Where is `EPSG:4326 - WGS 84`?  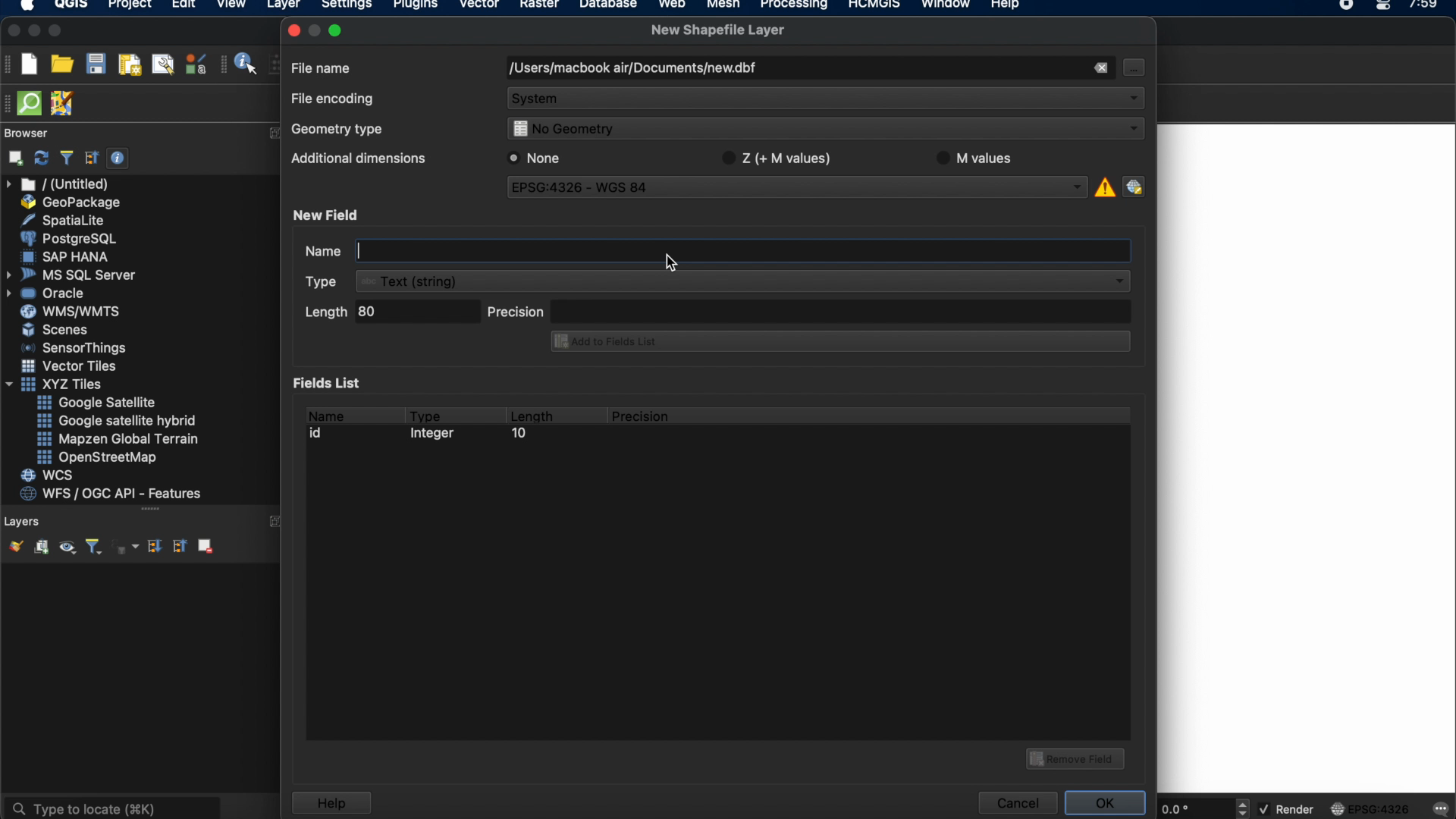
EPSG:4326 - WGS 84 is located at coordinates (799, 190).